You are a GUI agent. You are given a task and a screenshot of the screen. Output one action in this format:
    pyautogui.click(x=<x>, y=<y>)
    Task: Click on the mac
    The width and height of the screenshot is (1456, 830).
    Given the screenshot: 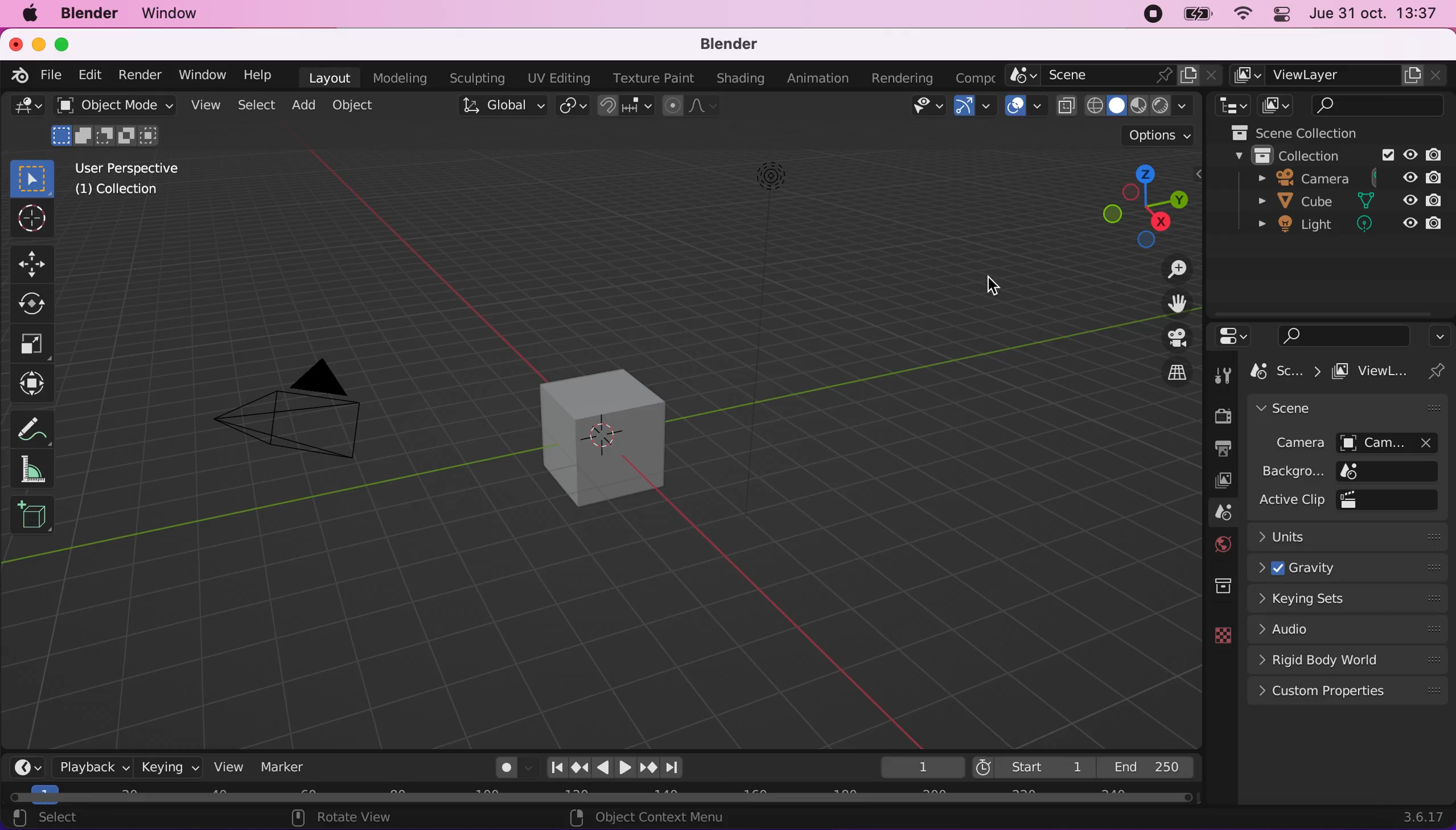 What is the action you would take?
    pyautogui.click(x=29, y=14)
    